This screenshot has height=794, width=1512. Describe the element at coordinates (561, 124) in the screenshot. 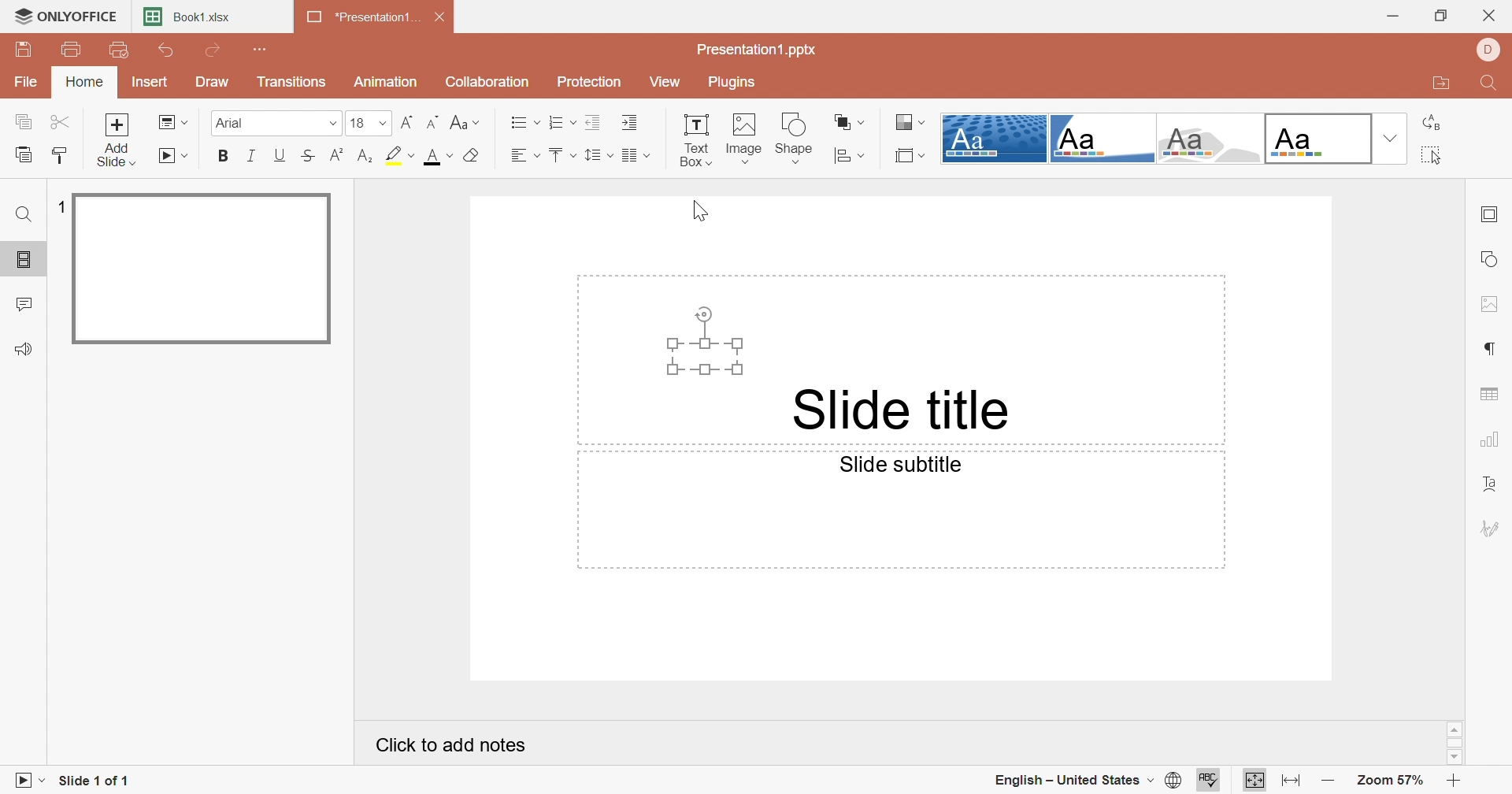

I see `Numbering` at that location.